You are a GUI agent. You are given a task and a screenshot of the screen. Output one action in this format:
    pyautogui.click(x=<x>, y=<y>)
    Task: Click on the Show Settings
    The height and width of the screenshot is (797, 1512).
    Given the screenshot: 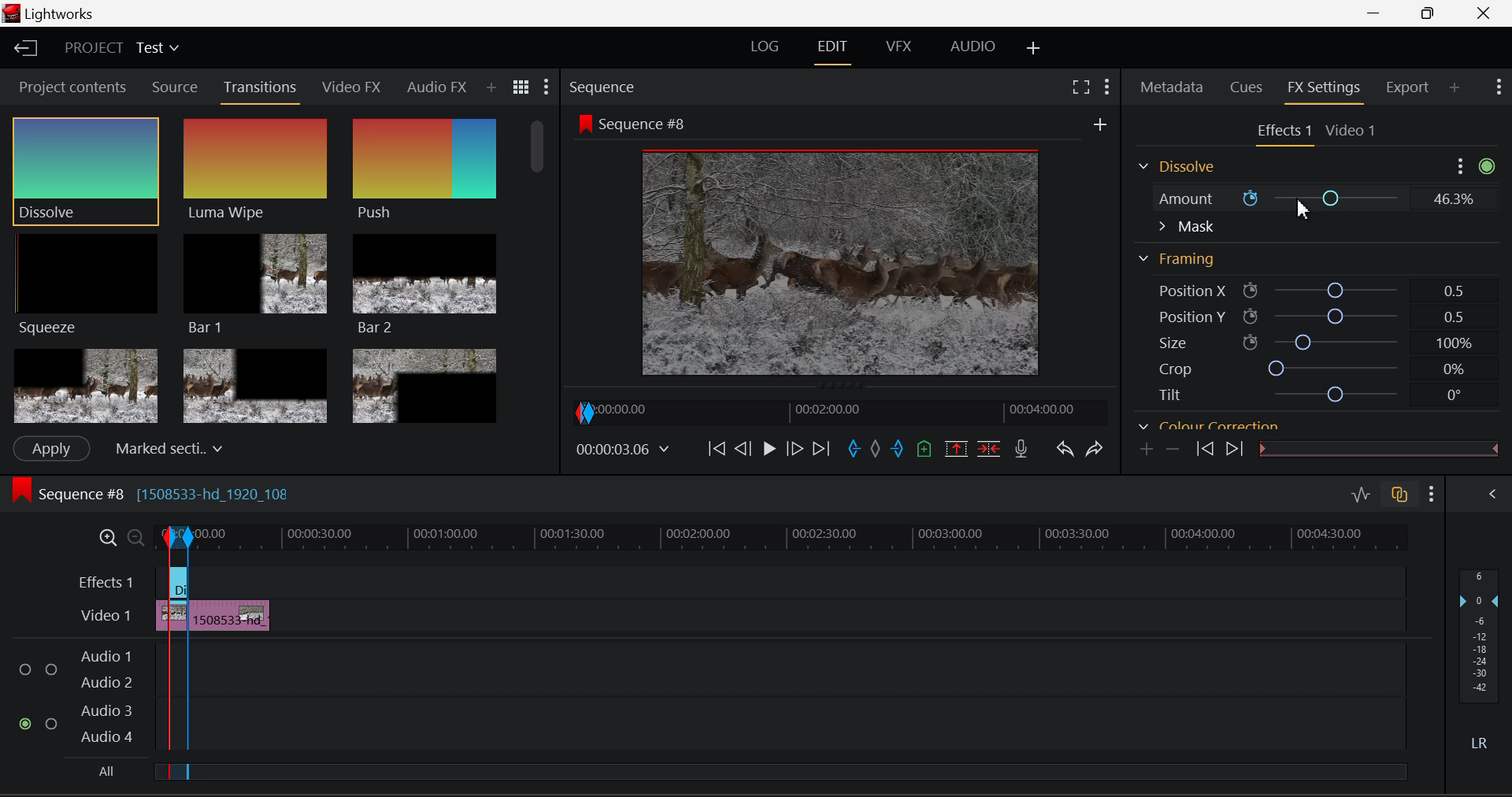 What is the action you would take?
    pyautogui.click(x=1432, y=494)
    